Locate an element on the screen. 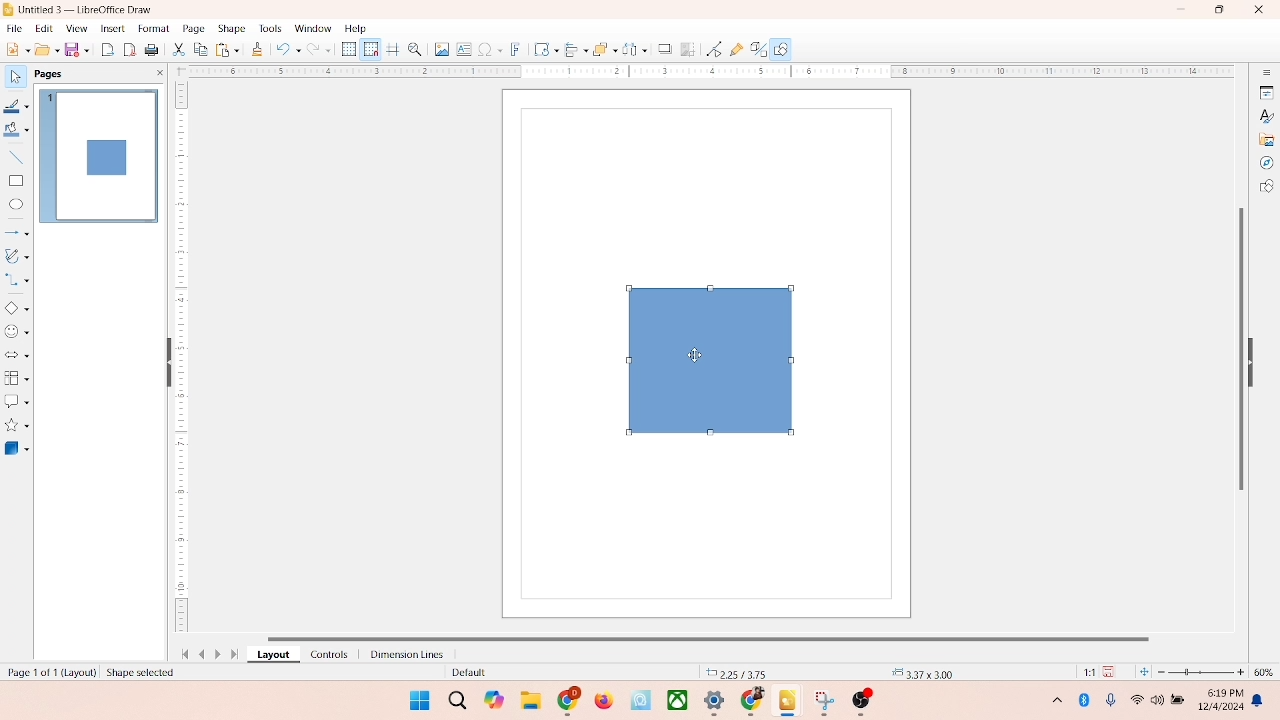 The height and width of the screenshot is (720, 1280). block arrow is located at coordinates (17, 356).